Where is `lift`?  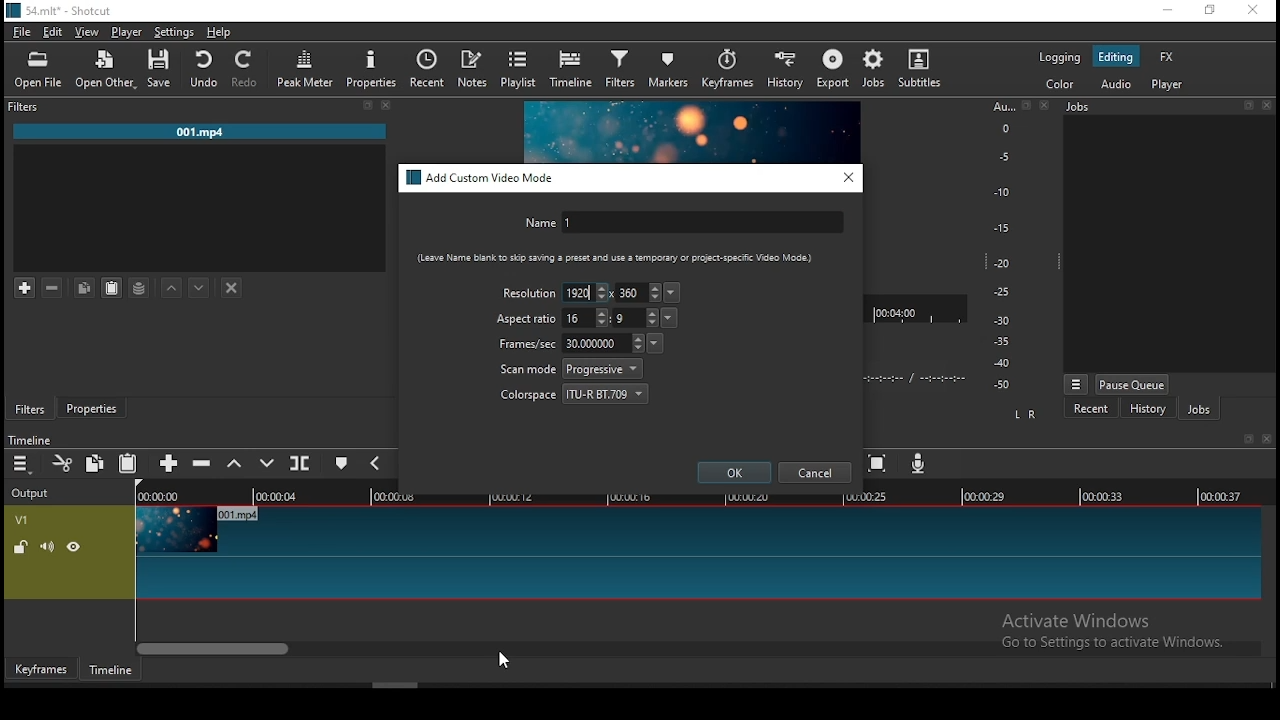
lift is located at coordinates (235, 464).